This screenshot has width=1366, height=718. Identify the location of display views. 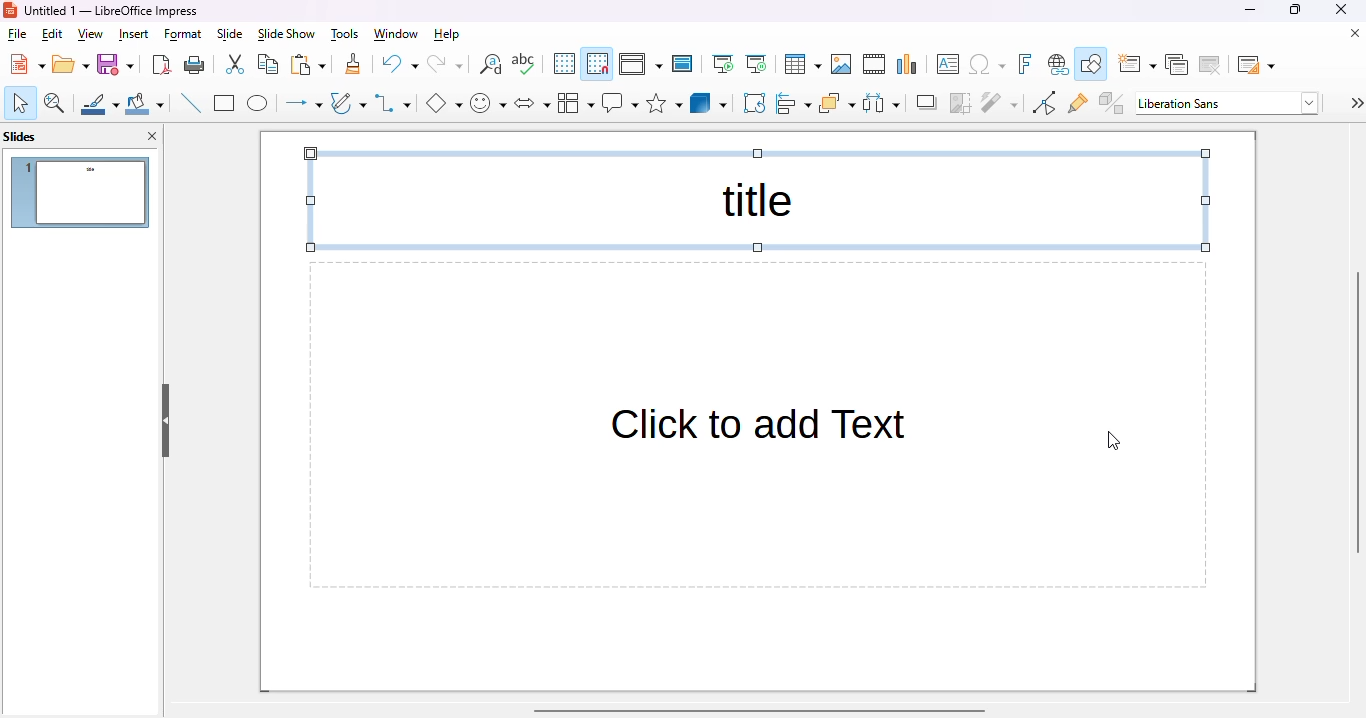
(641, 64).